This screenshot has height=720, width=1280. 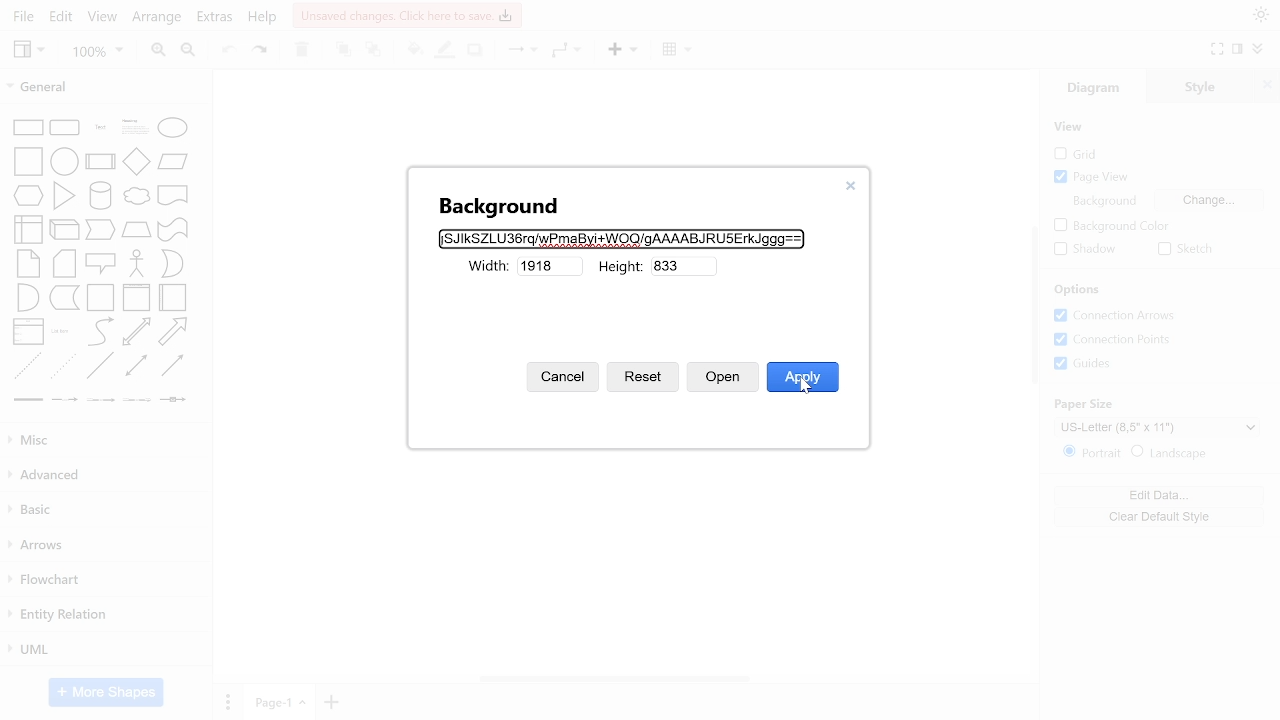 What do you see at coordinates (263, 20) in the screenshot?
I see `help` at bounding box center [263, 20].